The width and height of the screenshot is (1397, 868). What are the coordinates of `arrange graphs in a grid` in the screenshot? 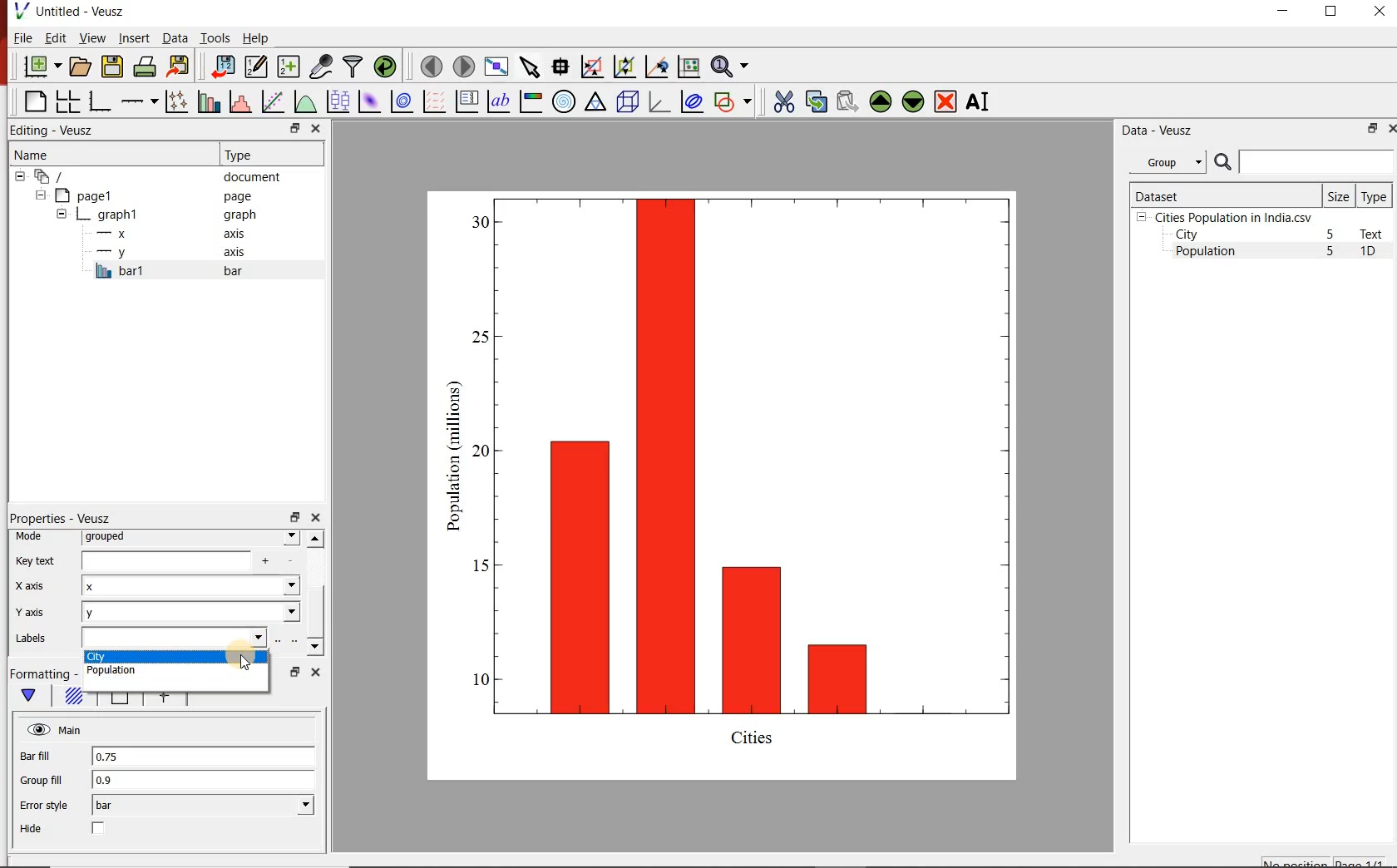 It's located at (67, 101).